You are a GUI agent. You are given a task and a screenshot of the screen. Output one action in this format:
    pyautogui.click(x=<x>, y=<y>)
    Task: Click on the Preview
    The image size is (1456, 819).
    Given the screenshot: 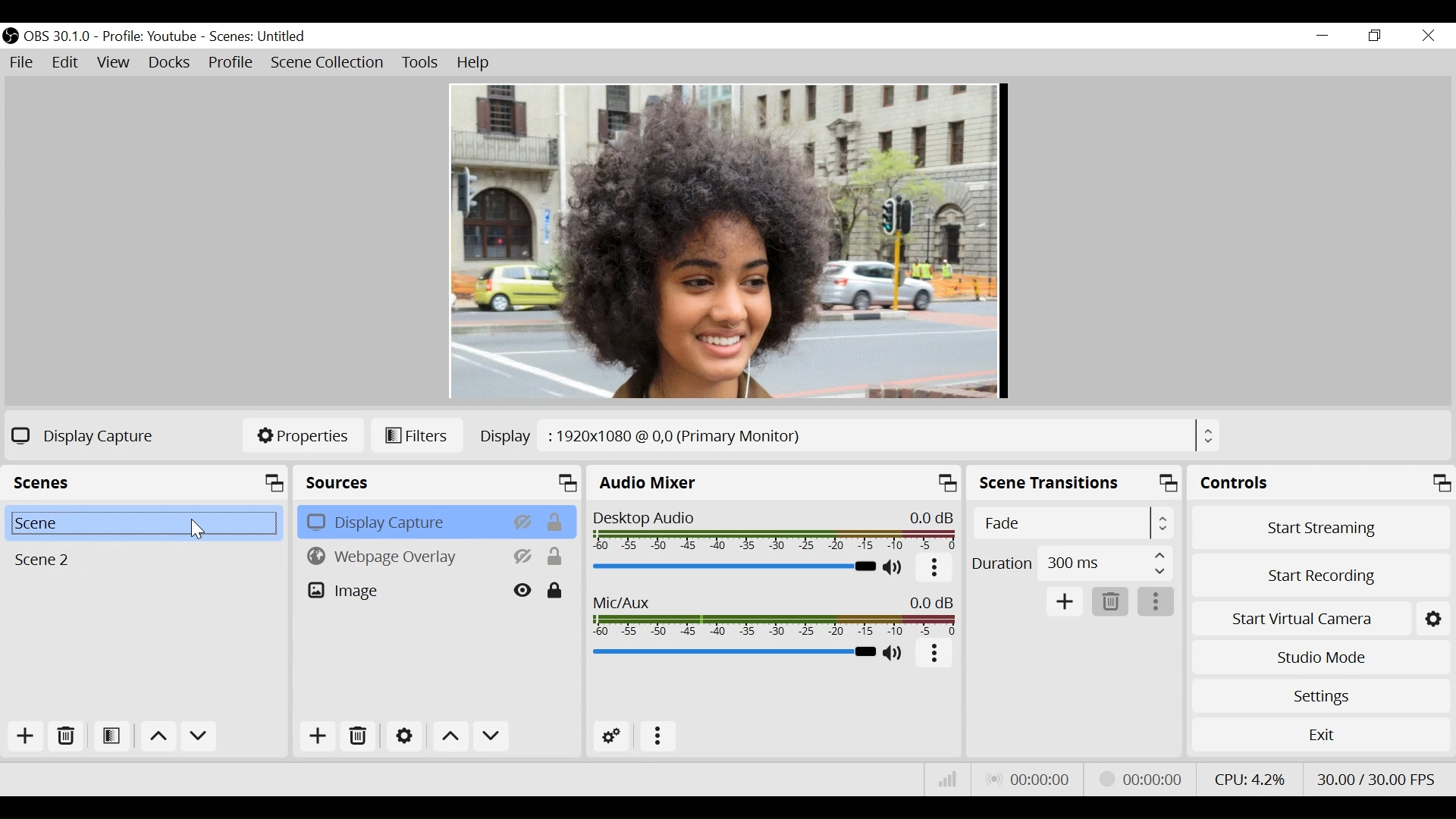 What is the action you would take?
    pyautogui.click(x=727, y=242)
    